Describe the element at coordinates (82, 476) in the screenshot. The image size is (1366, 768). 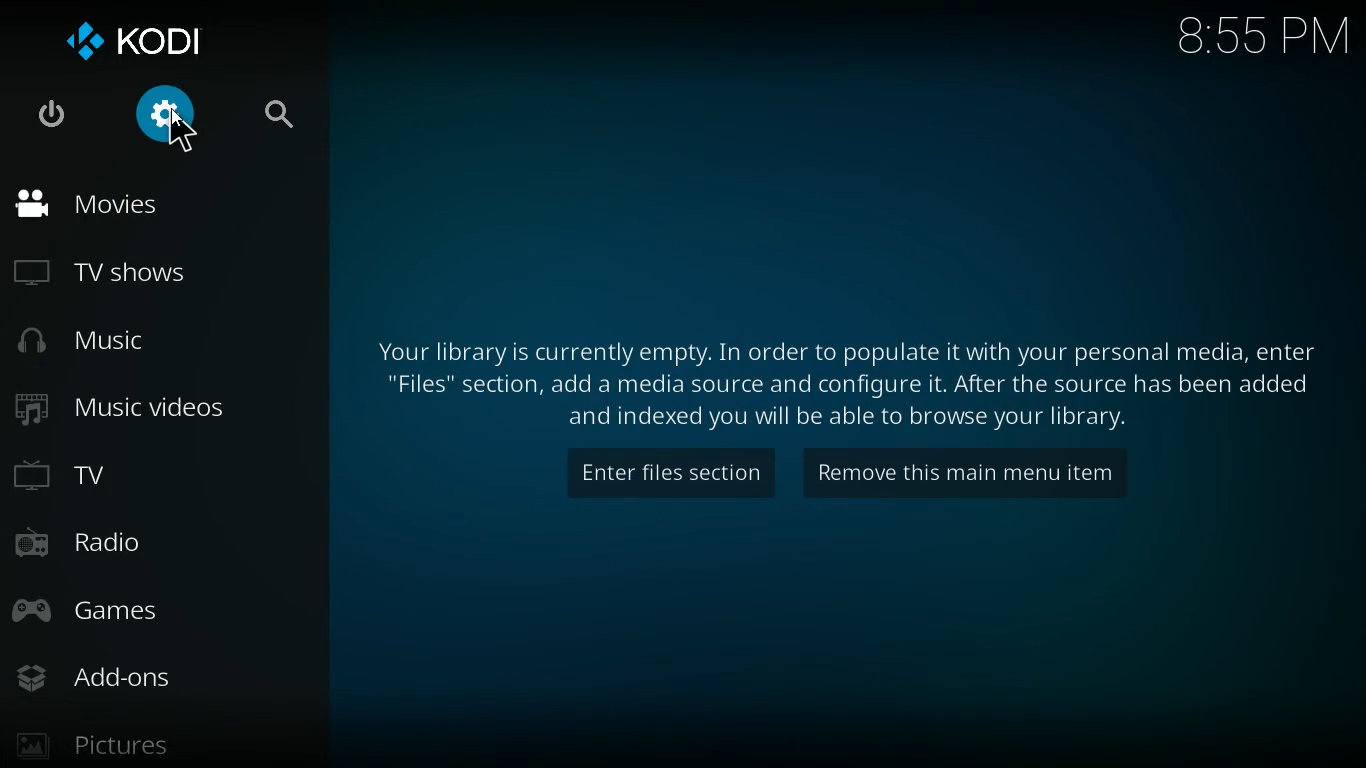
I see `tv` at that location.